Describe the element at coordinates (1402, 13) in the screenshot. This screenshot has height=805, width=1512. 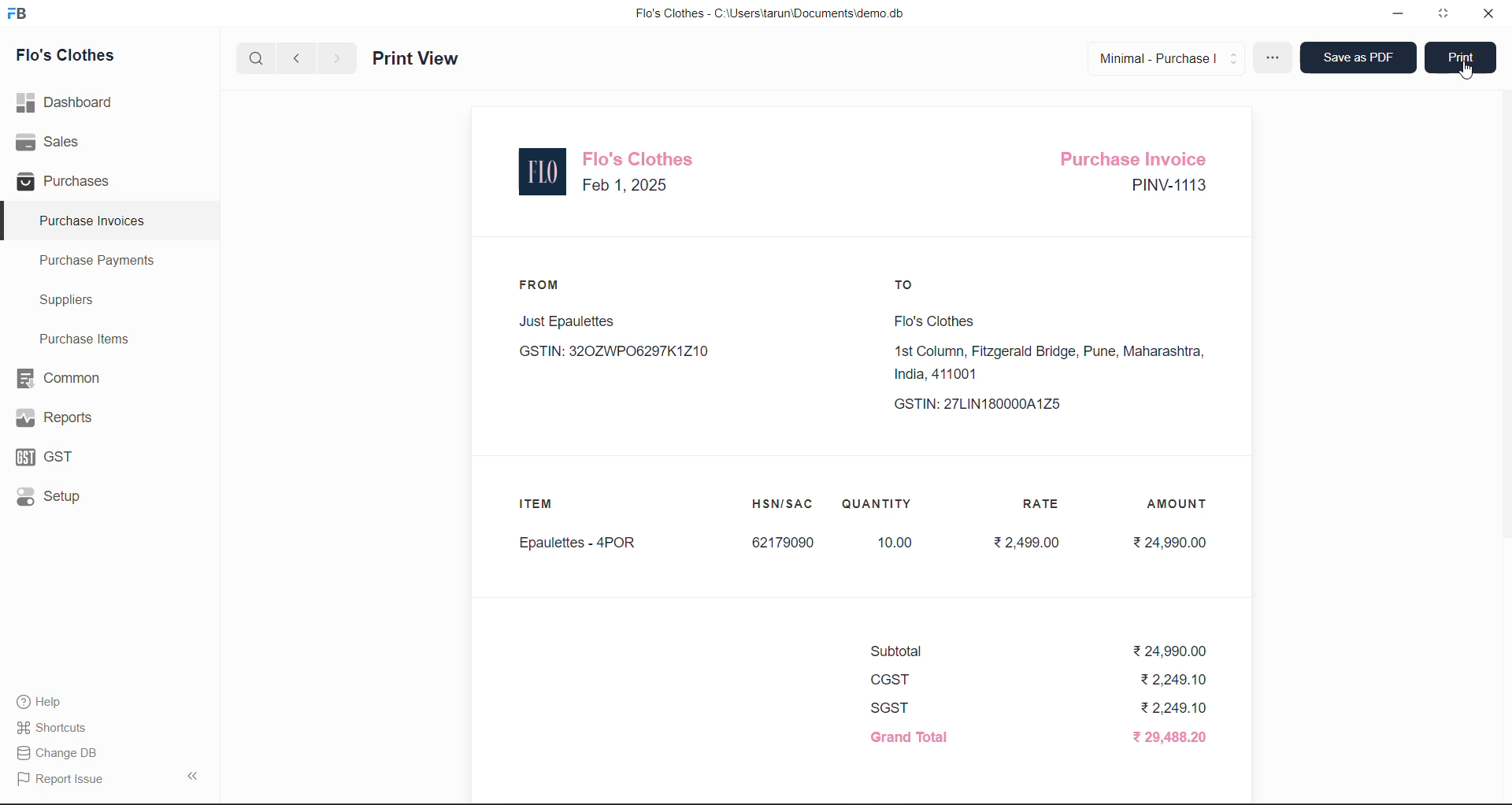
I see `minimize` at that location.